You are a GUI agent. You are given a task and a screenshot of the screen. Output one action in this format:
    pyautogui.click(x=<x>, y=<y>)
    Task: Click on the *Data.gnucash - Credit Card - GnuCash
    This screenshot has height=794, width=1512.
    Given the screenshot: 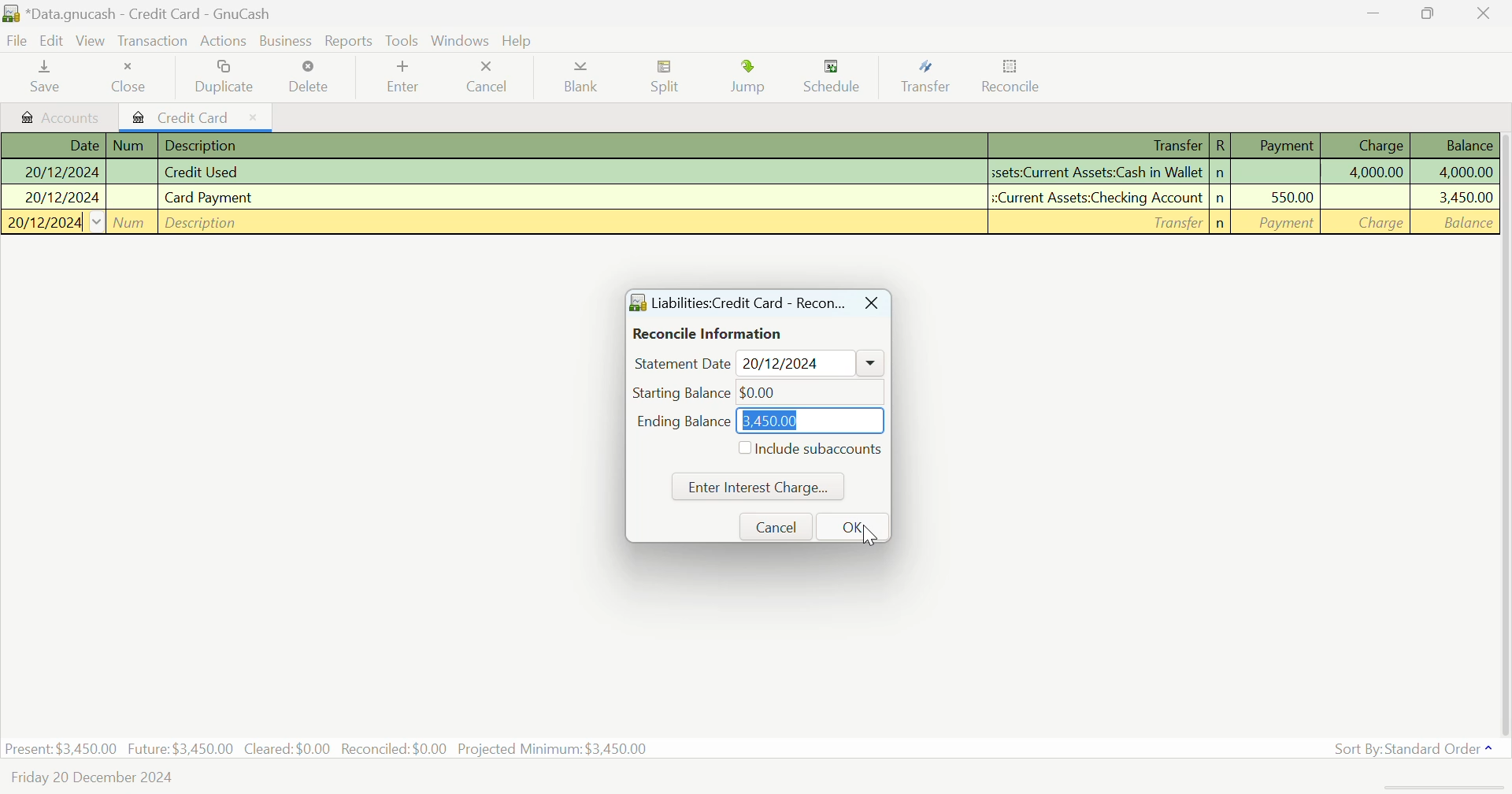 What is the action you would take?
    pyautogui.click(x=142, y=13)
    